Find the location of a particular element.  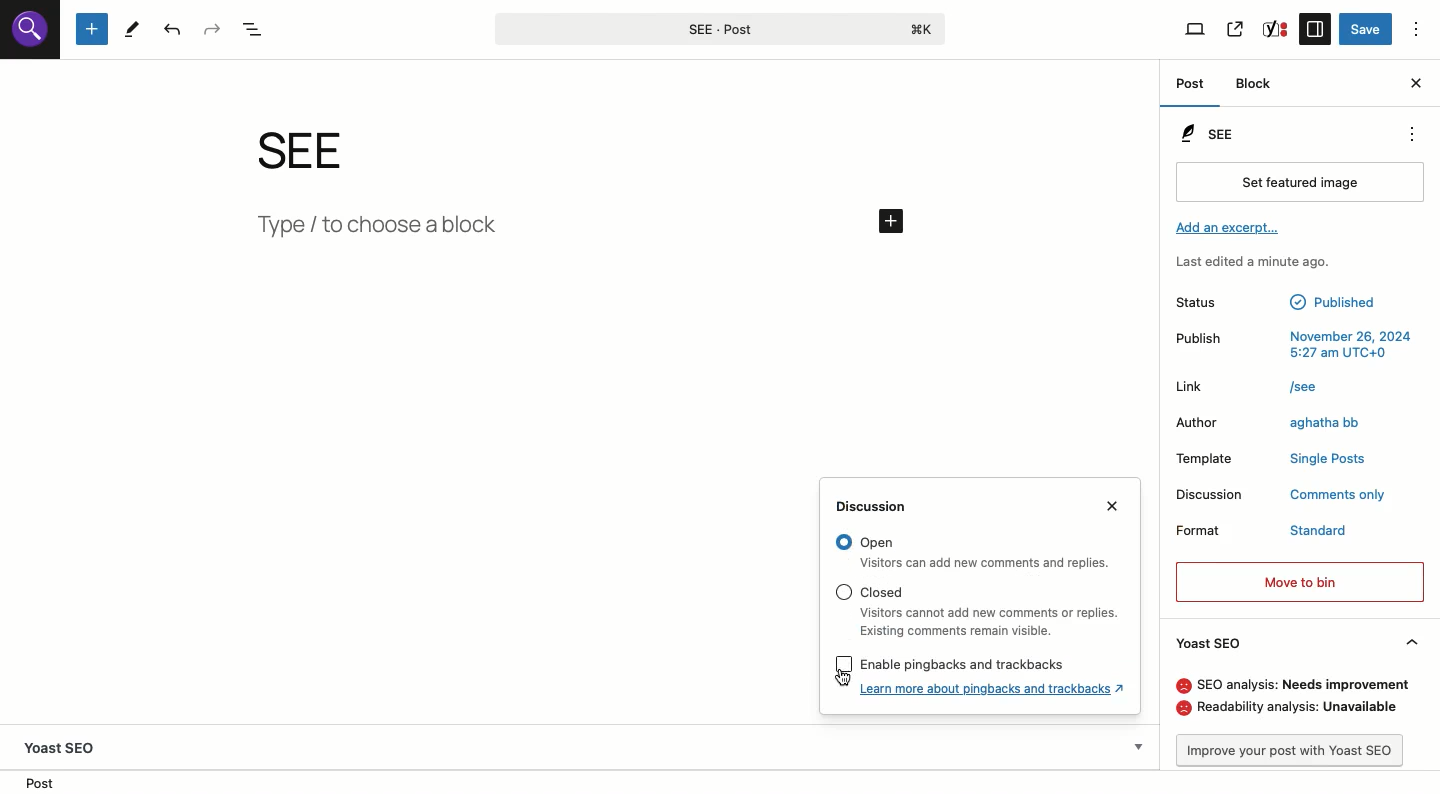

Template Single Posts is located at coordinates (1271, 460).